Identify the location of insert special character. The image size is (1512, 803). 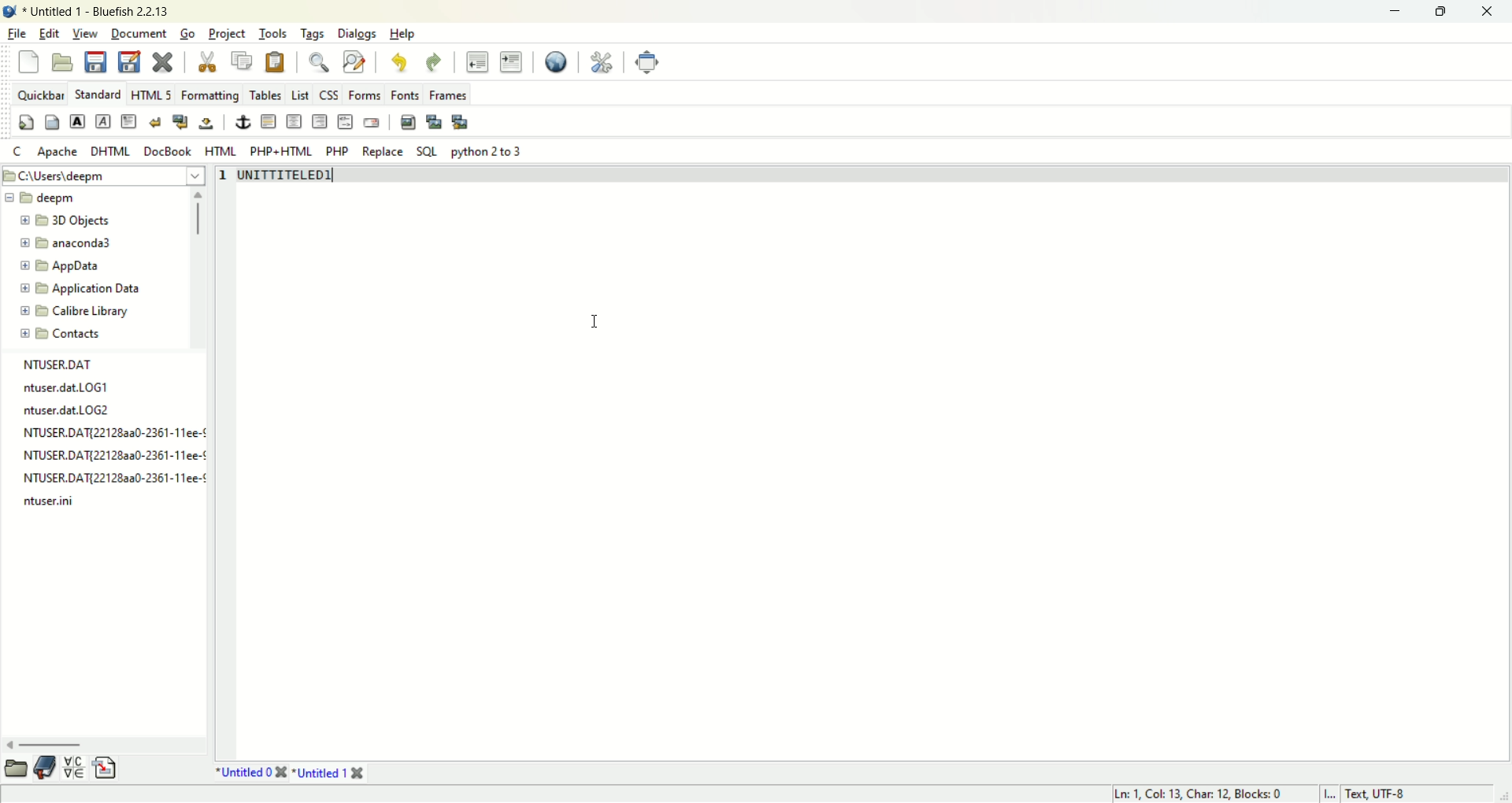
(74, 768).